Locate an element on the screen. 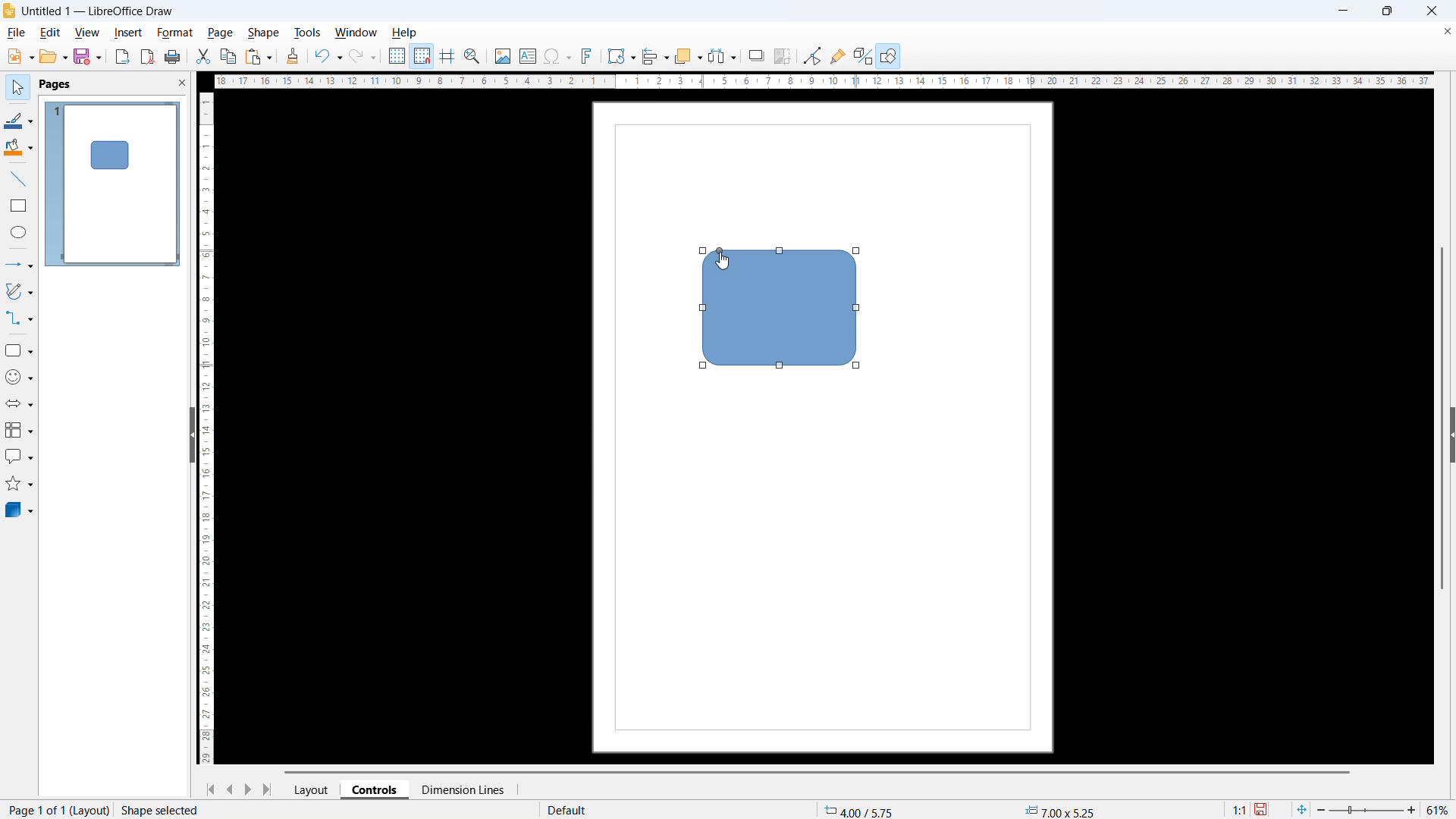 The image size is (1456, 819). Shape selected is located at coordinates (162, 810).